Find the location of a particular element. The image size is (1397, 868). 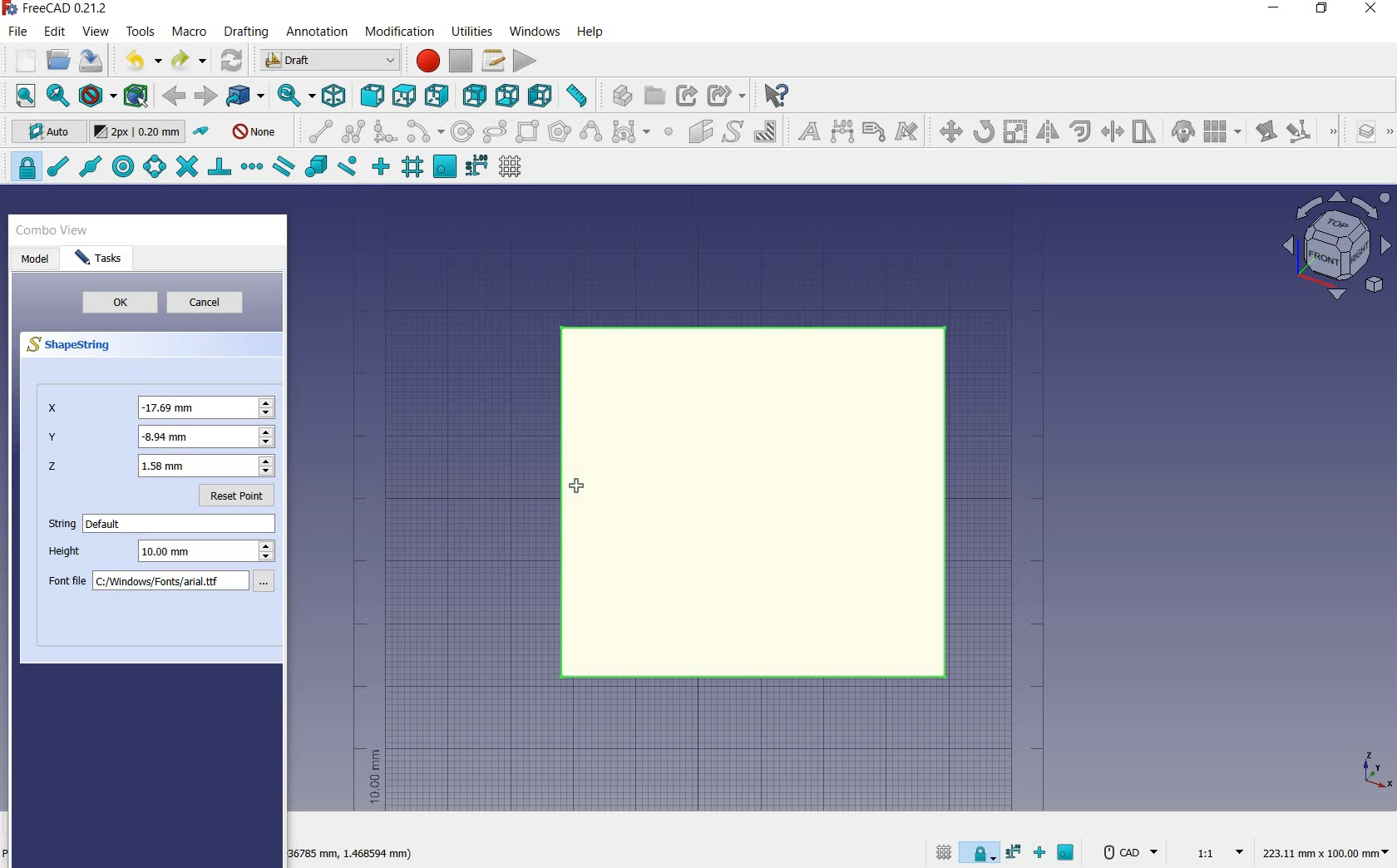

utilities is located at coordinates (473, 30).